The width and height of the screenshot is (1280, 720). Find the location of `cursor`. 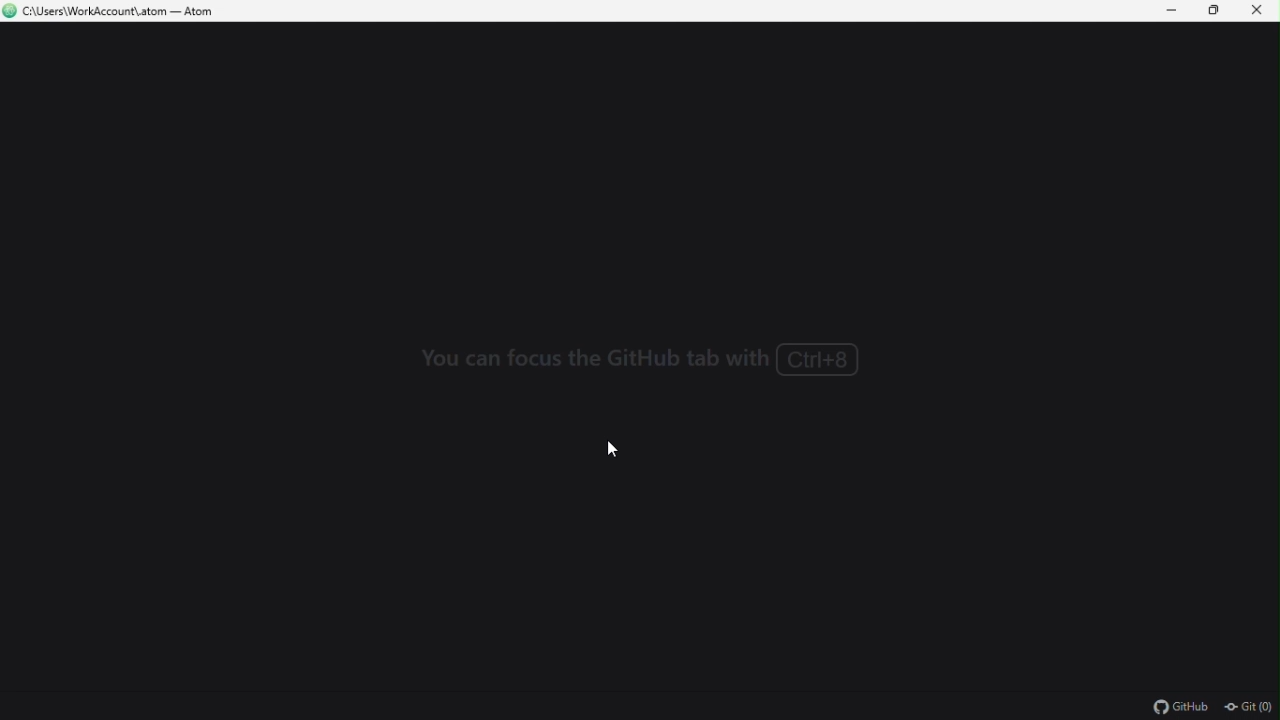

cursor is located at coordinates (605, 447).